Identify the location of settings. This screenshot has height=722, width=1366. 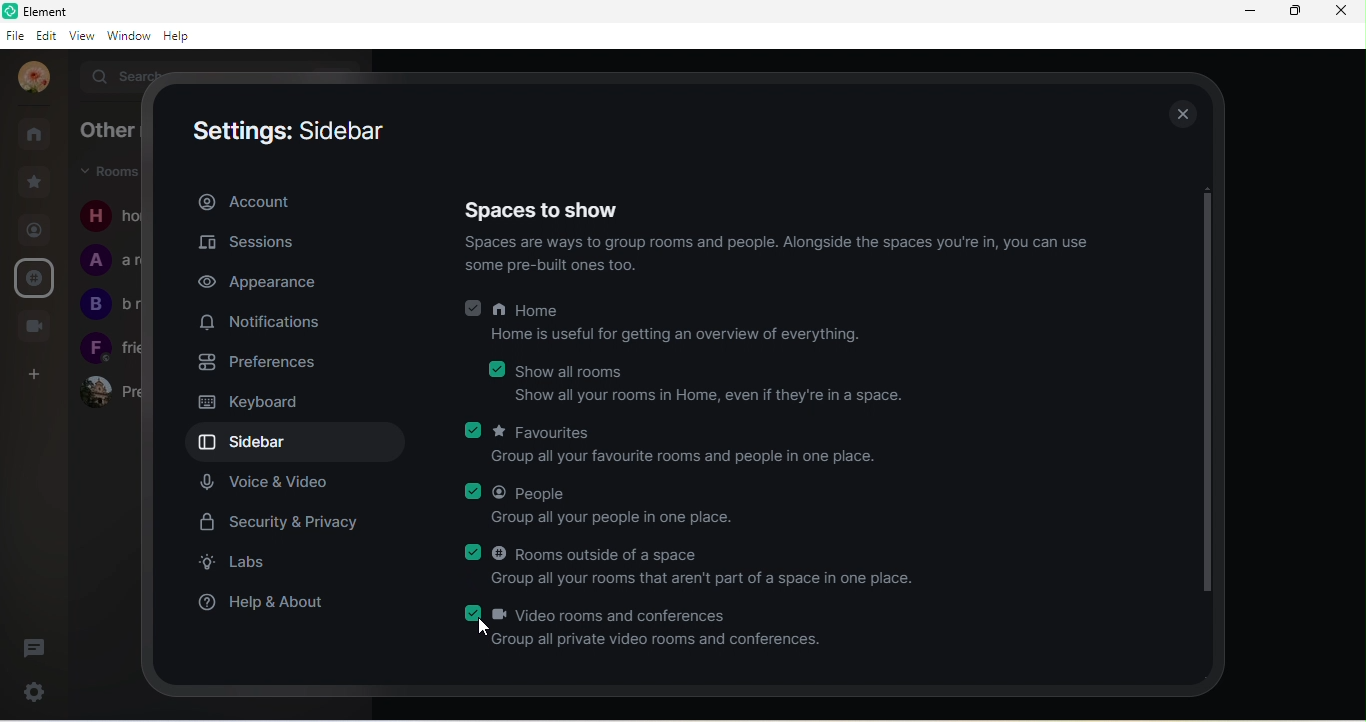
(38, 688).